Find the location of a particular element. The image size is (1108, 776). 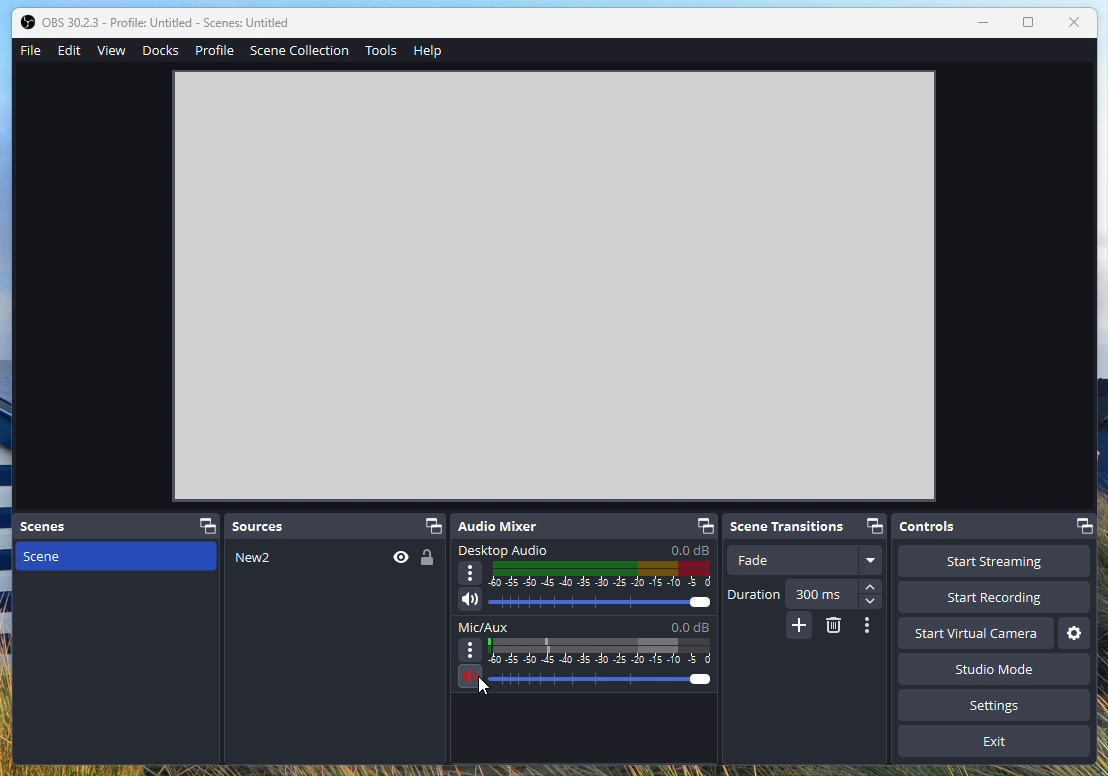

More is located at coordinates (798, 625).